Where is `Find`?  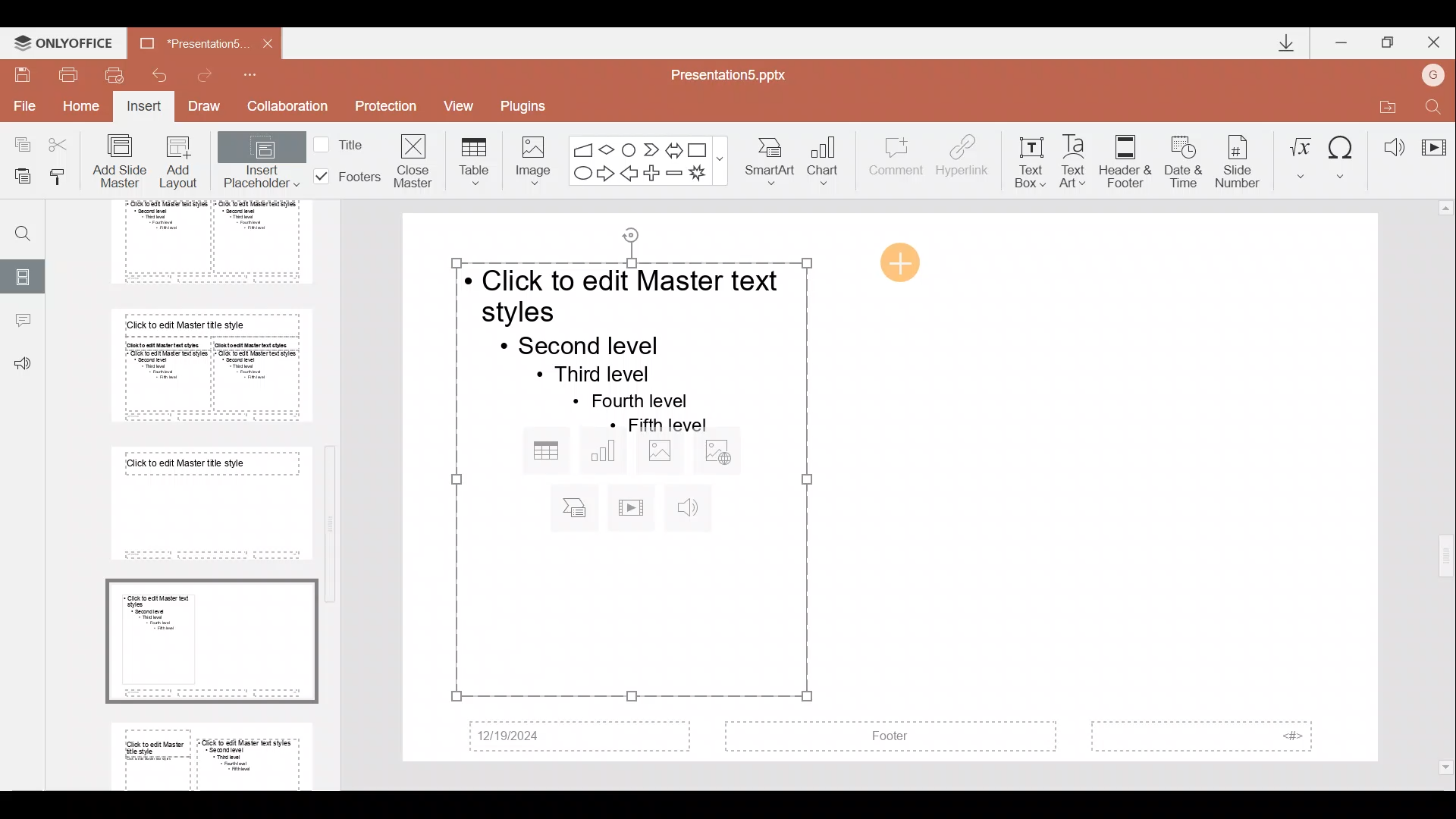 Find is located at coordinates (17, 227).